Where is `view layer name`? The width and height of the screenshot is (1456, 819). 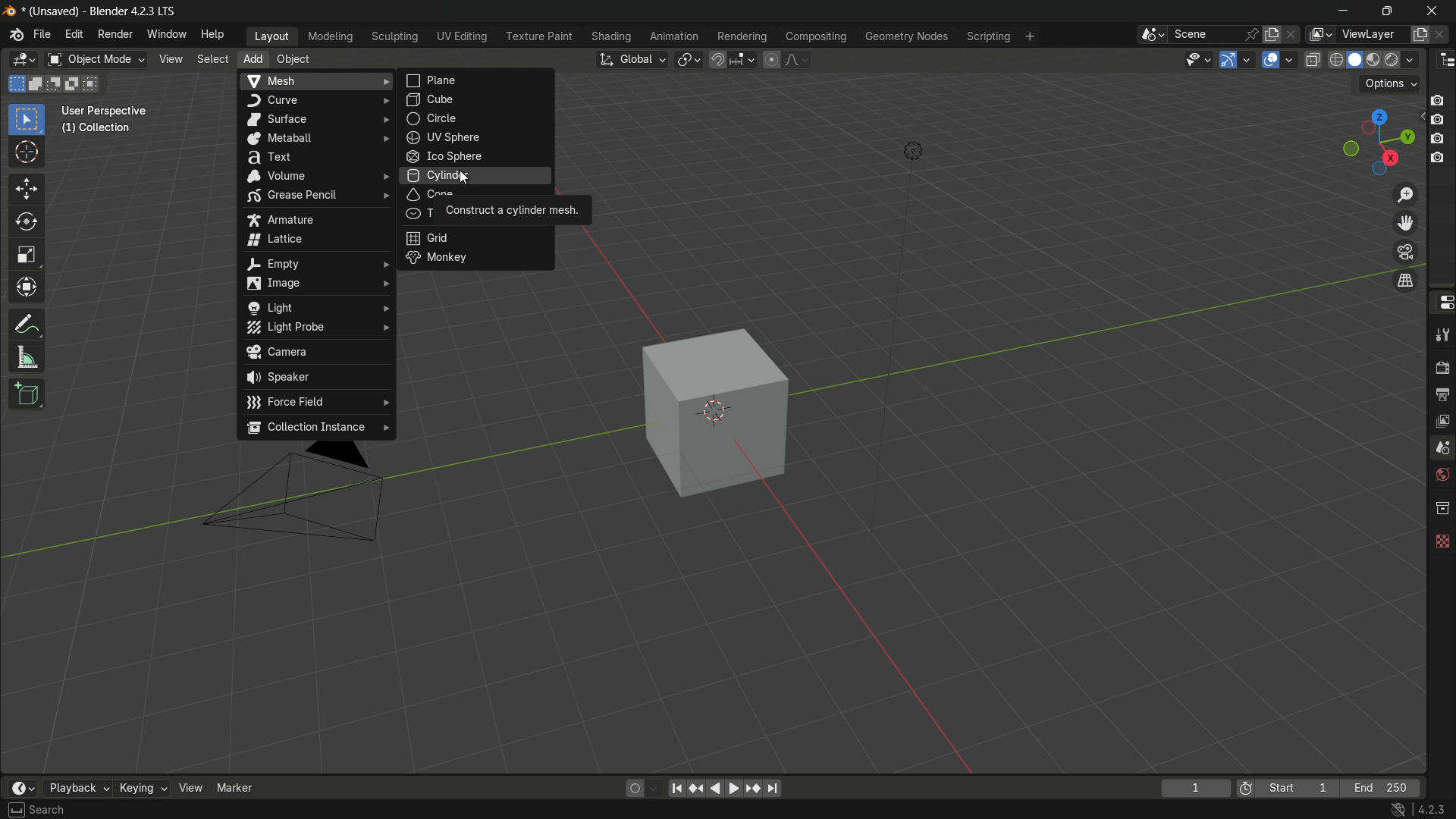 view layer name is located at coordinates (1372, 35).